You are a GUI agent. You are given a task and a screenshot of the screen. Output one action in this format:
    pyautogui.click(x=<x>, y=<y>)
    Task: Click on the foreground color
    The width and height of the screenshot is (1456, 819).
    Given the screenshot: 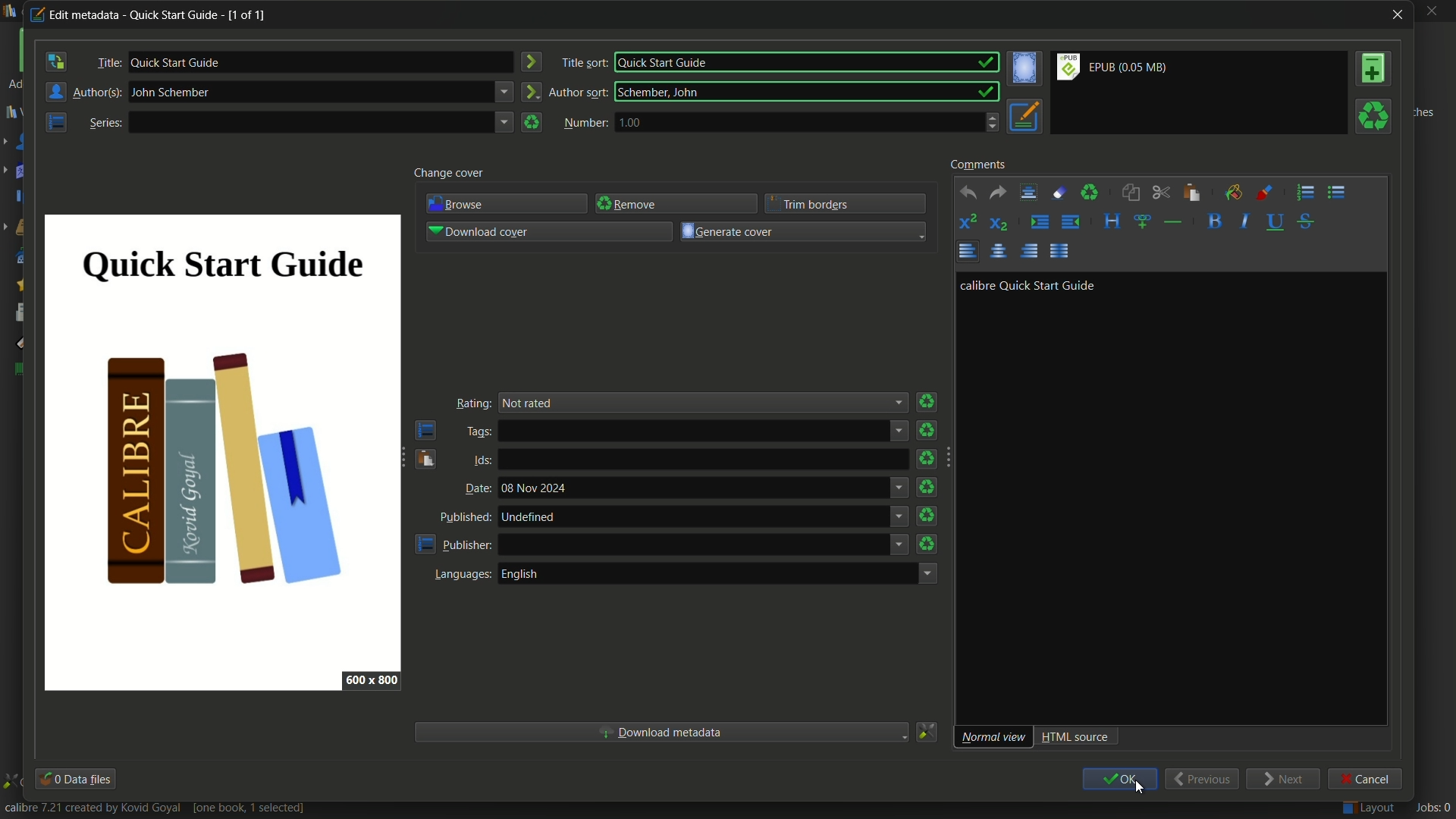 What is the action you would take?
    pyautogui.click(x=1262, y=192)
    